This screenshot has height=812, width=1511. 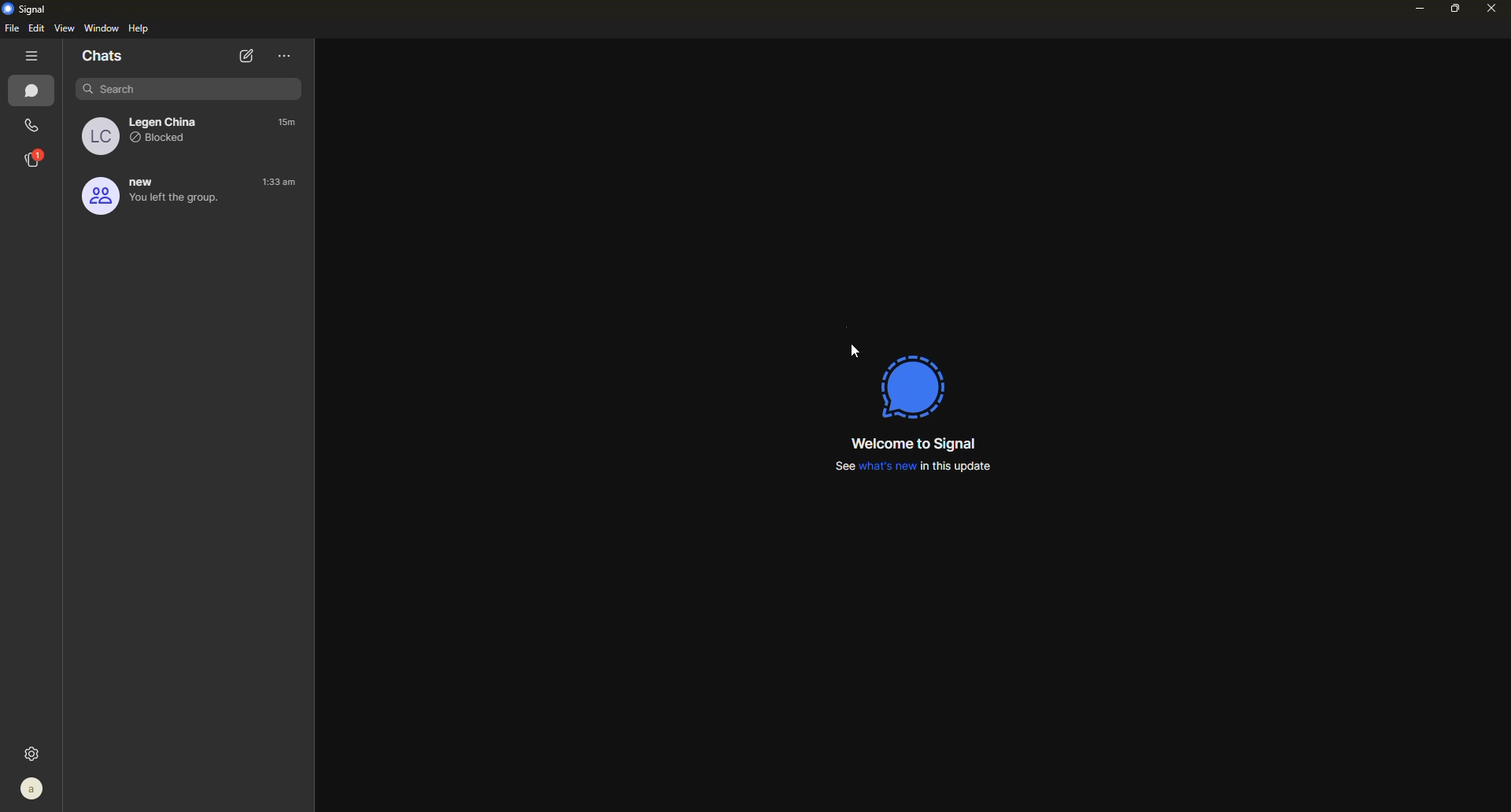 What do you see at coordinates (33, 124) in the screenshot?
I see `calls` at bounding box center [33, 124].